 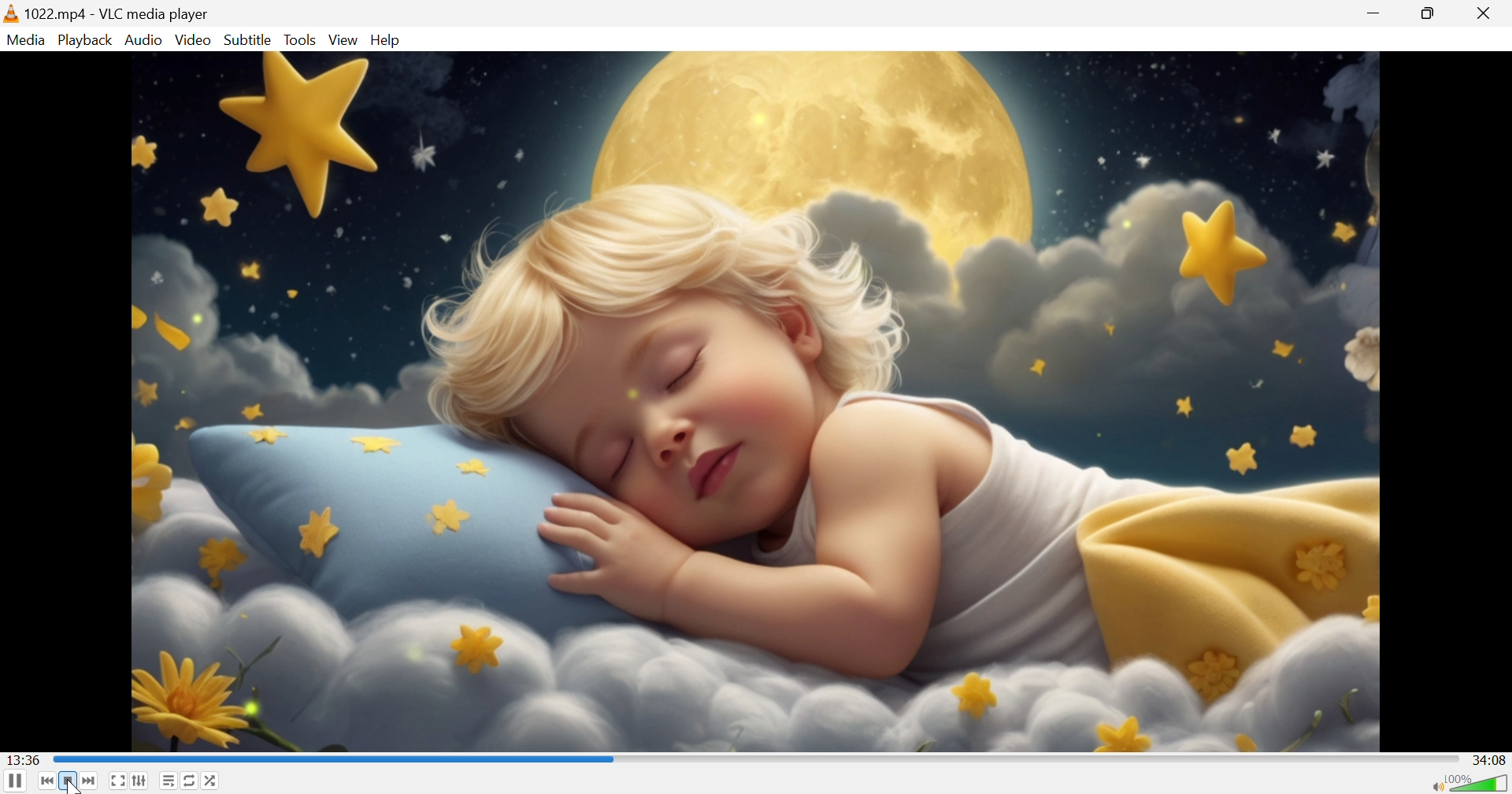 What do you see at coordinates (758, 759) in the screenshot?
I see `progress bar` at bounding box center [758, 759].